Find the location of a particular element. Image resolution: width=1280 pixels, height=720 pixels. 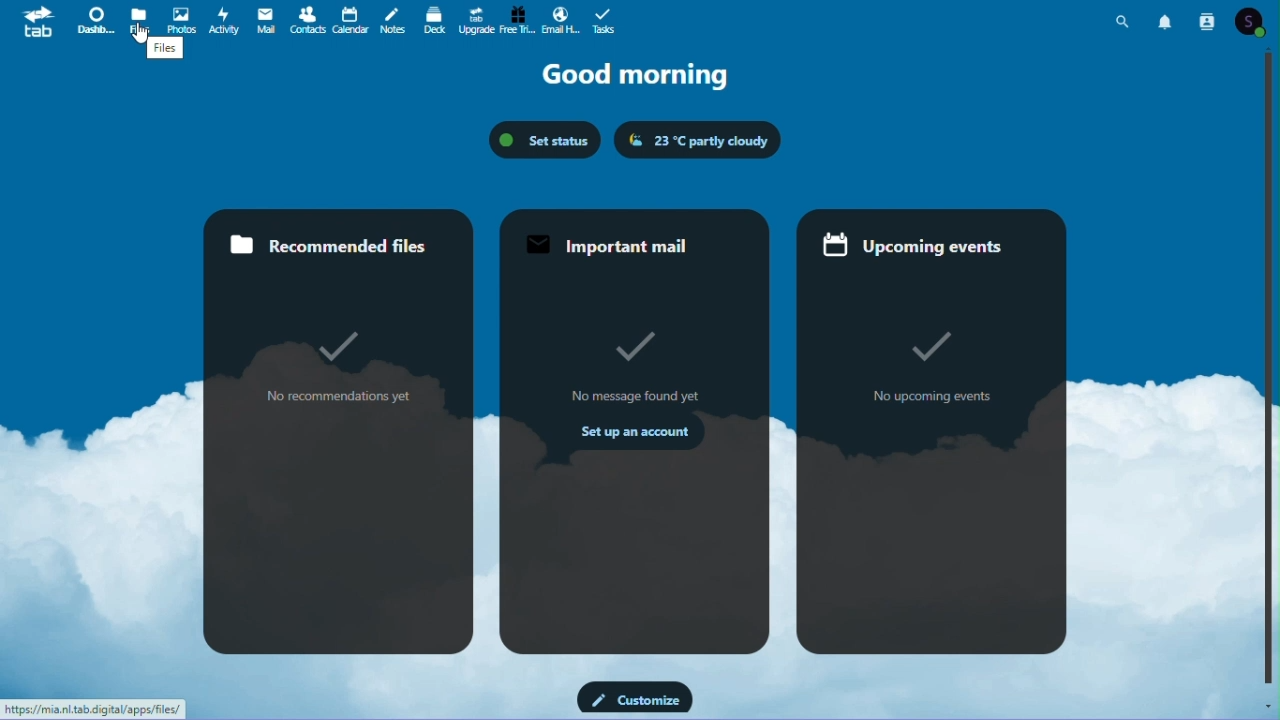

Upcoming events is located at coordinates (935, 435).